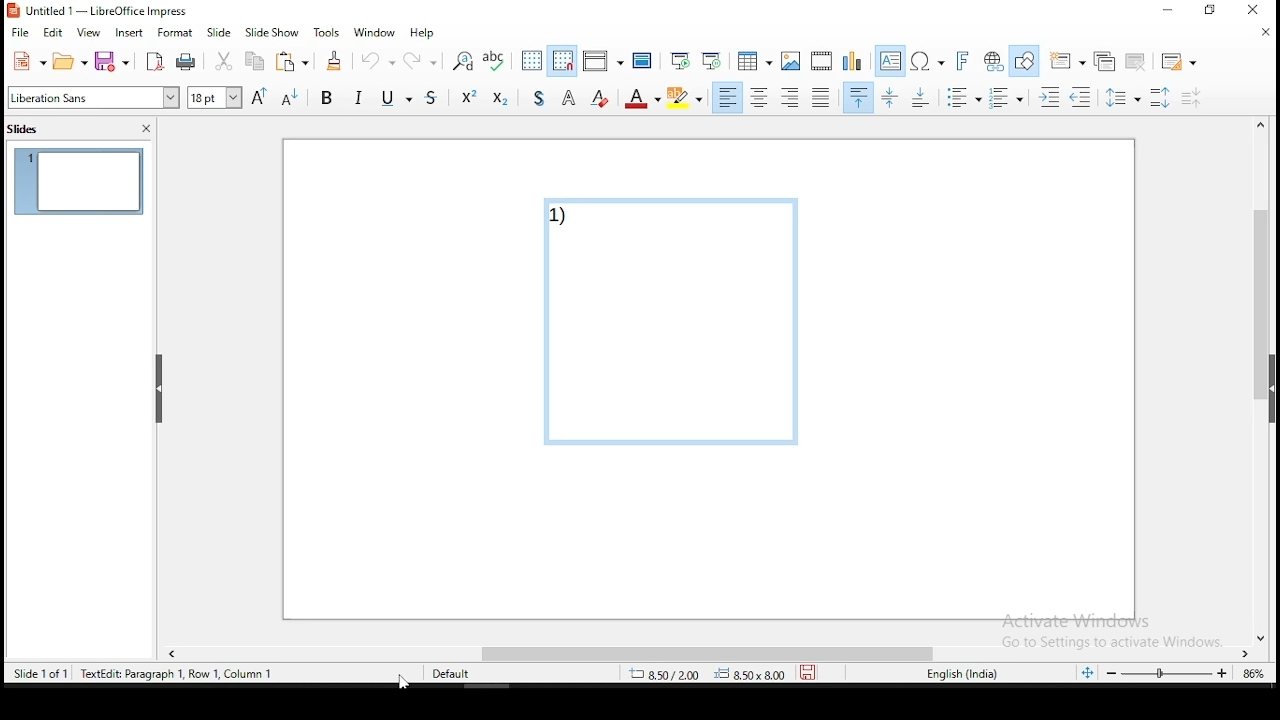 The width and height of the screenshot is (1280, 720). What do you see at coordinates (374, 32) in the screenshot?
I see `window` at bounding box center [374, 32].